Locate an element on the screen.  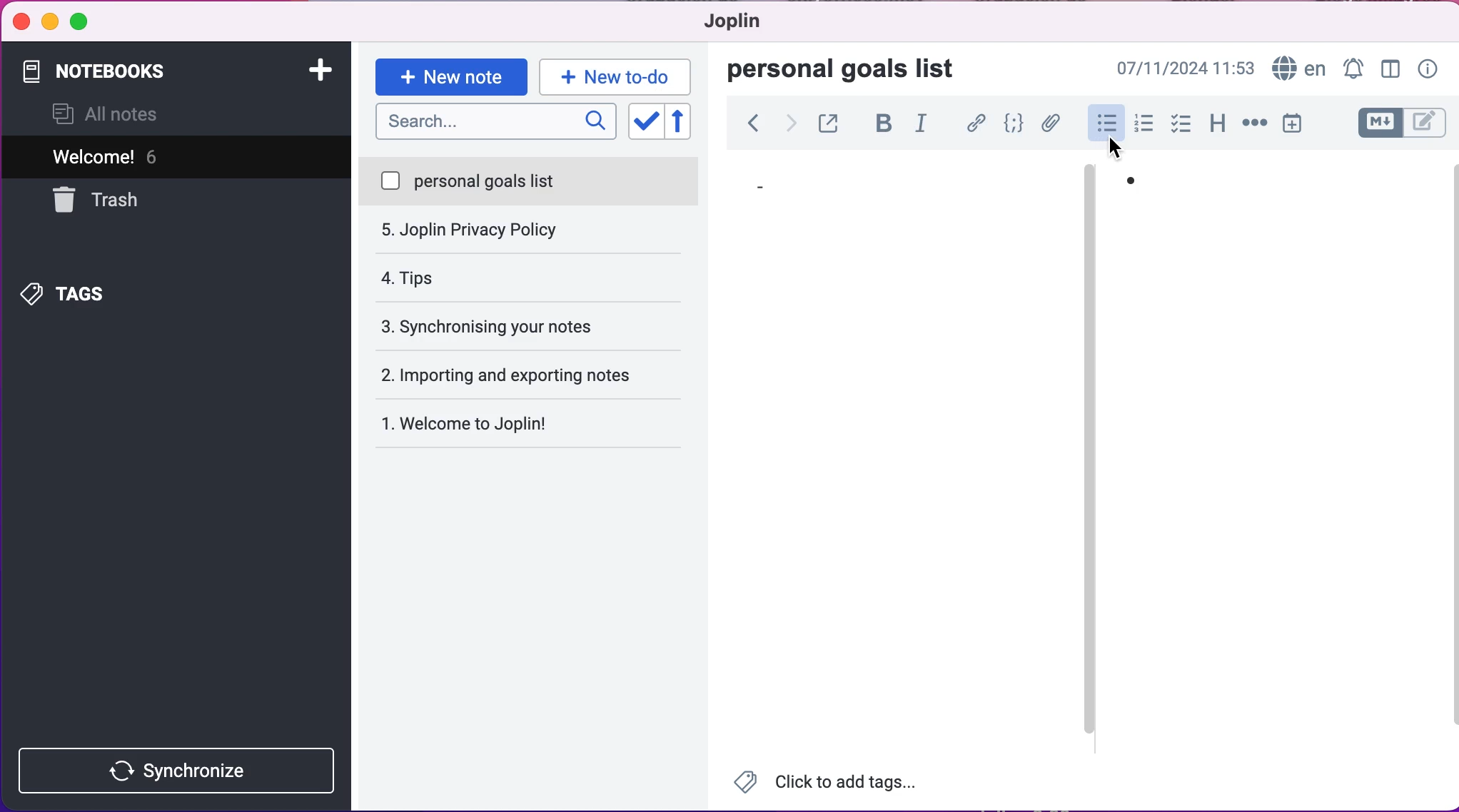
toggle sort order field is located at coordinates (644, 122).